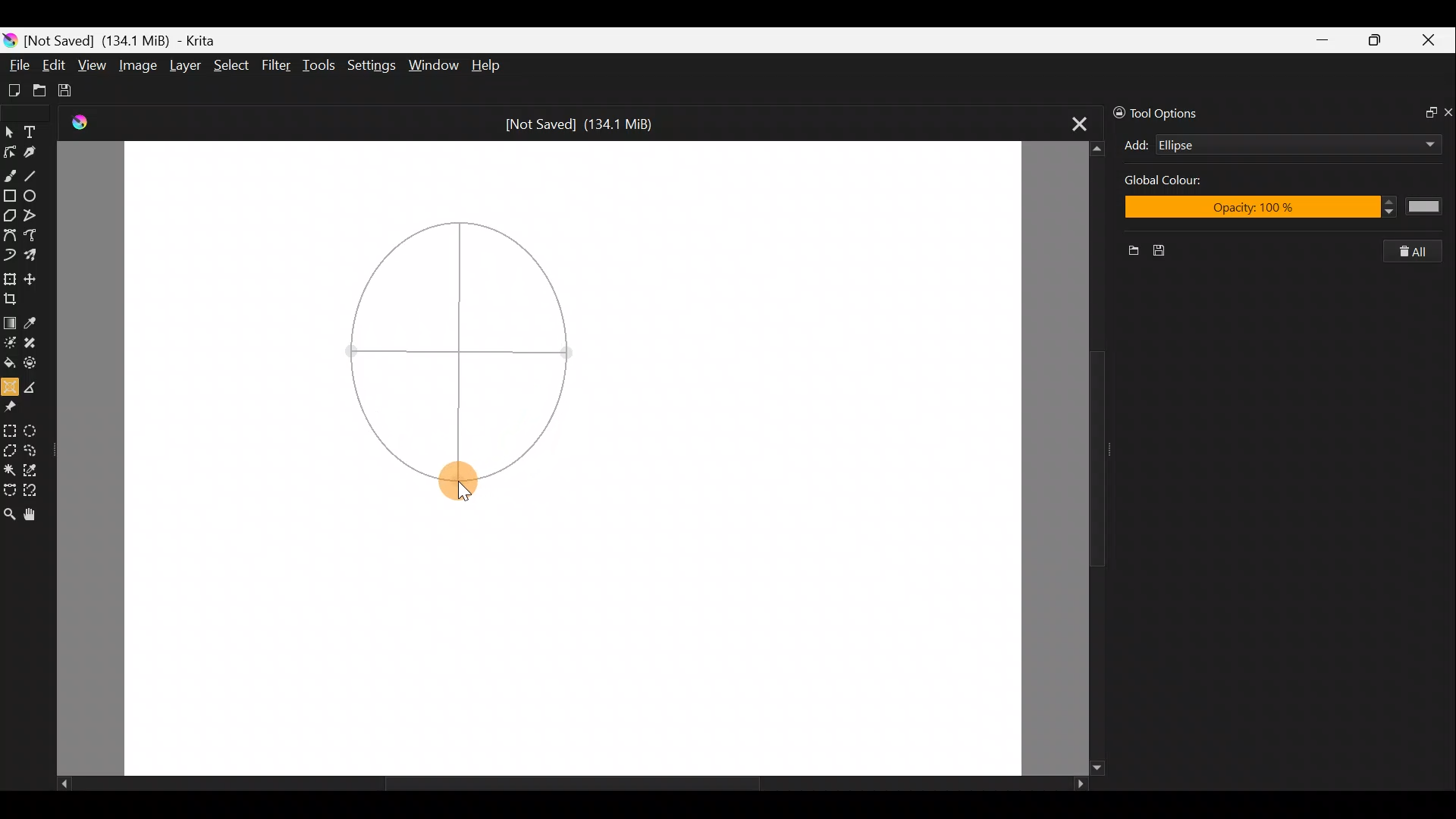 The width and height of the screenshot is (1456, 819). Describe the element at coordinates (1169, 111) in the screenshot. I see `Tool options` at that location.